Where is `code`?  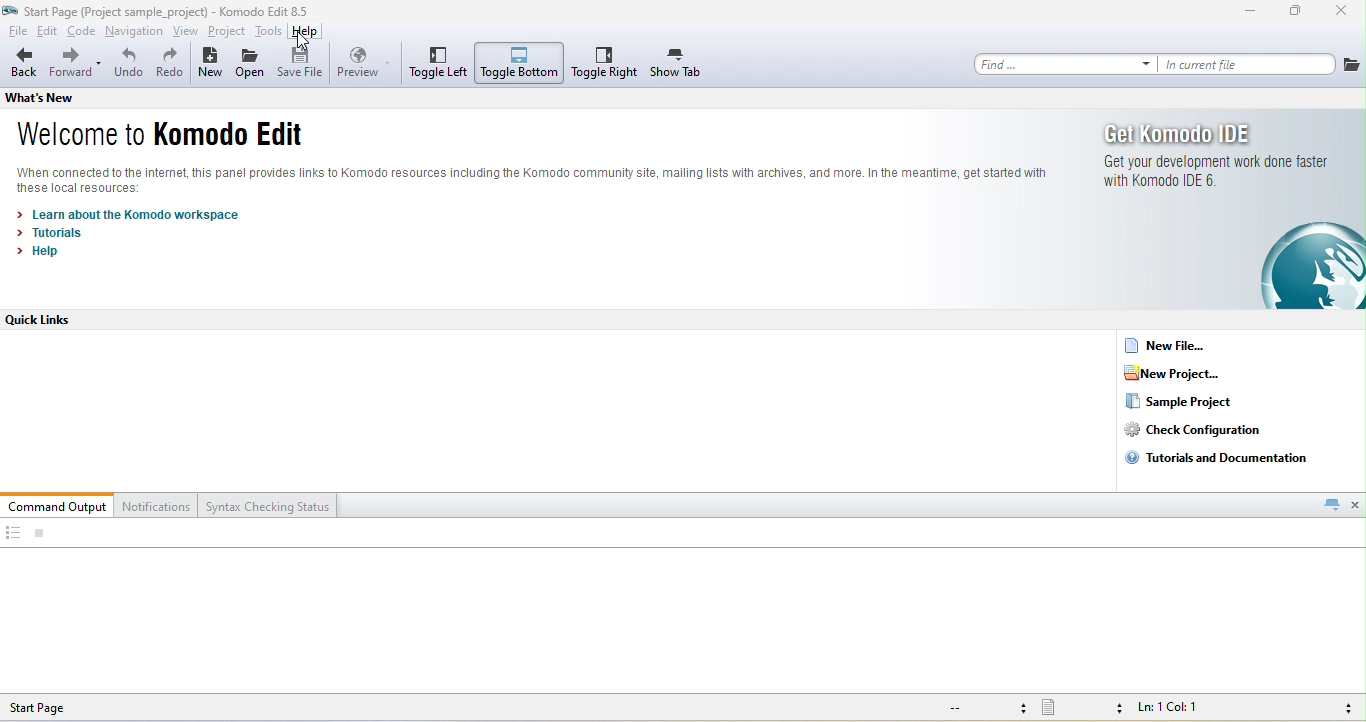
code is located at coordinates (82, 33).